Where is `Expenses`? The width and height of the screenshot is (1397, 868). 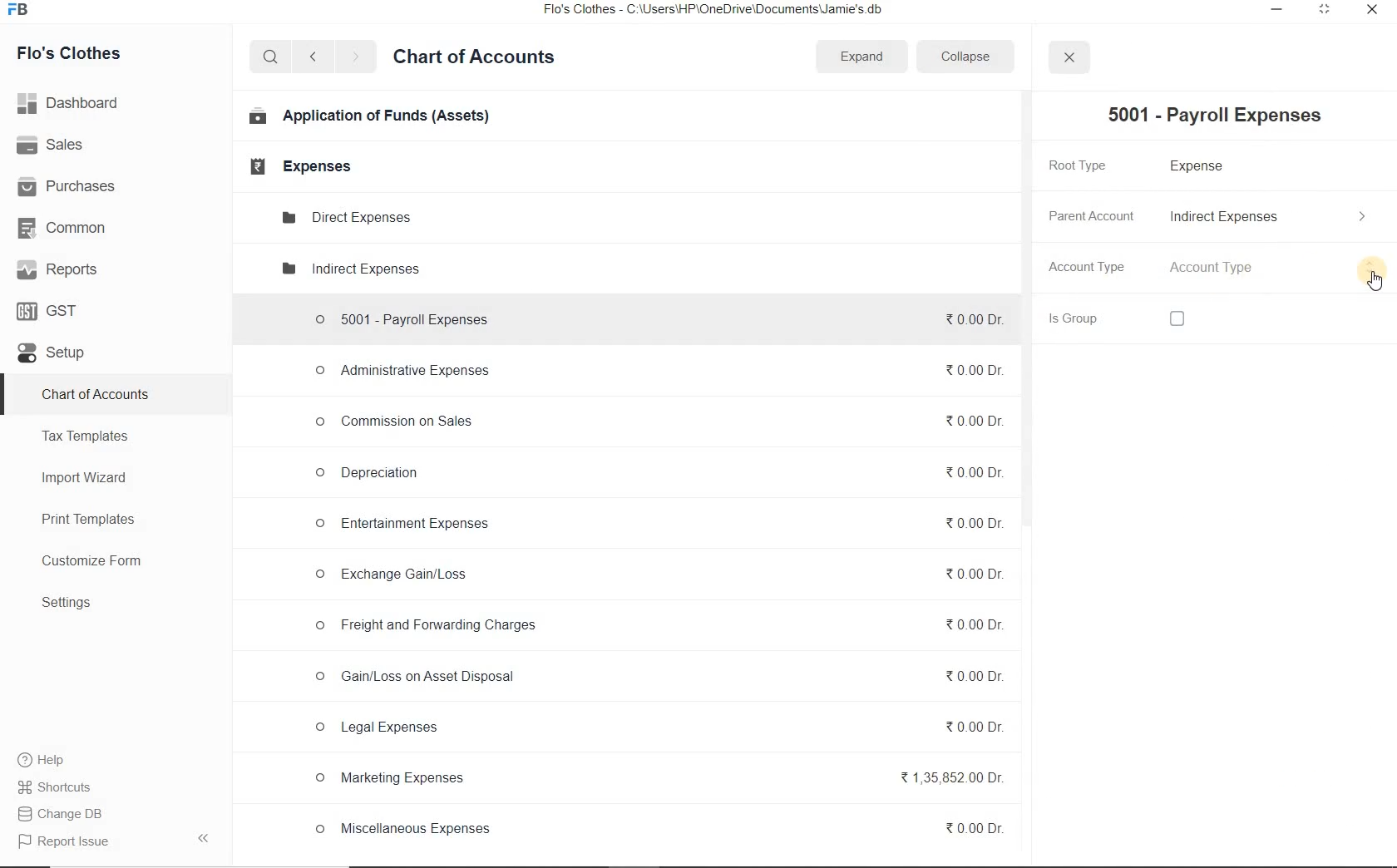
Expenses is located at coordinates (295, 166).